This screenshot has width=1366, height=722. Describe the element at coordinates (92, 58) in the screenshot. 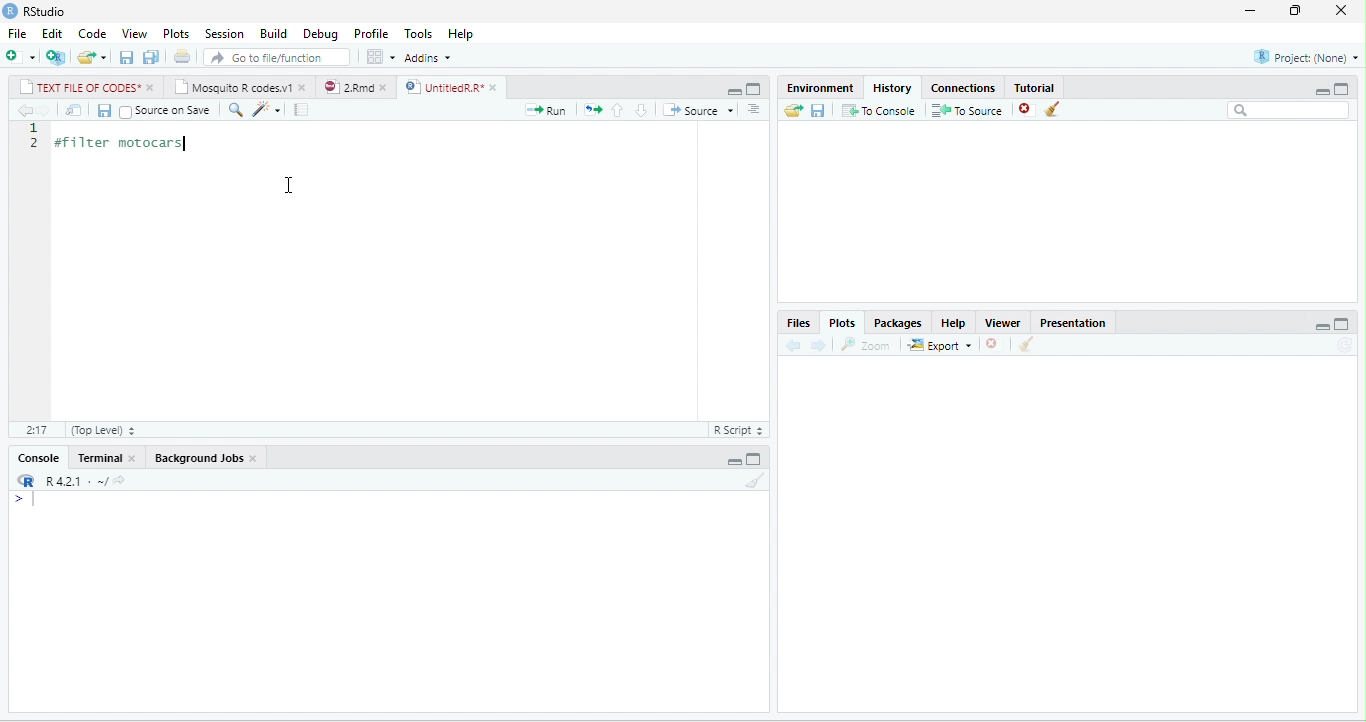

I see `open file` at that location.